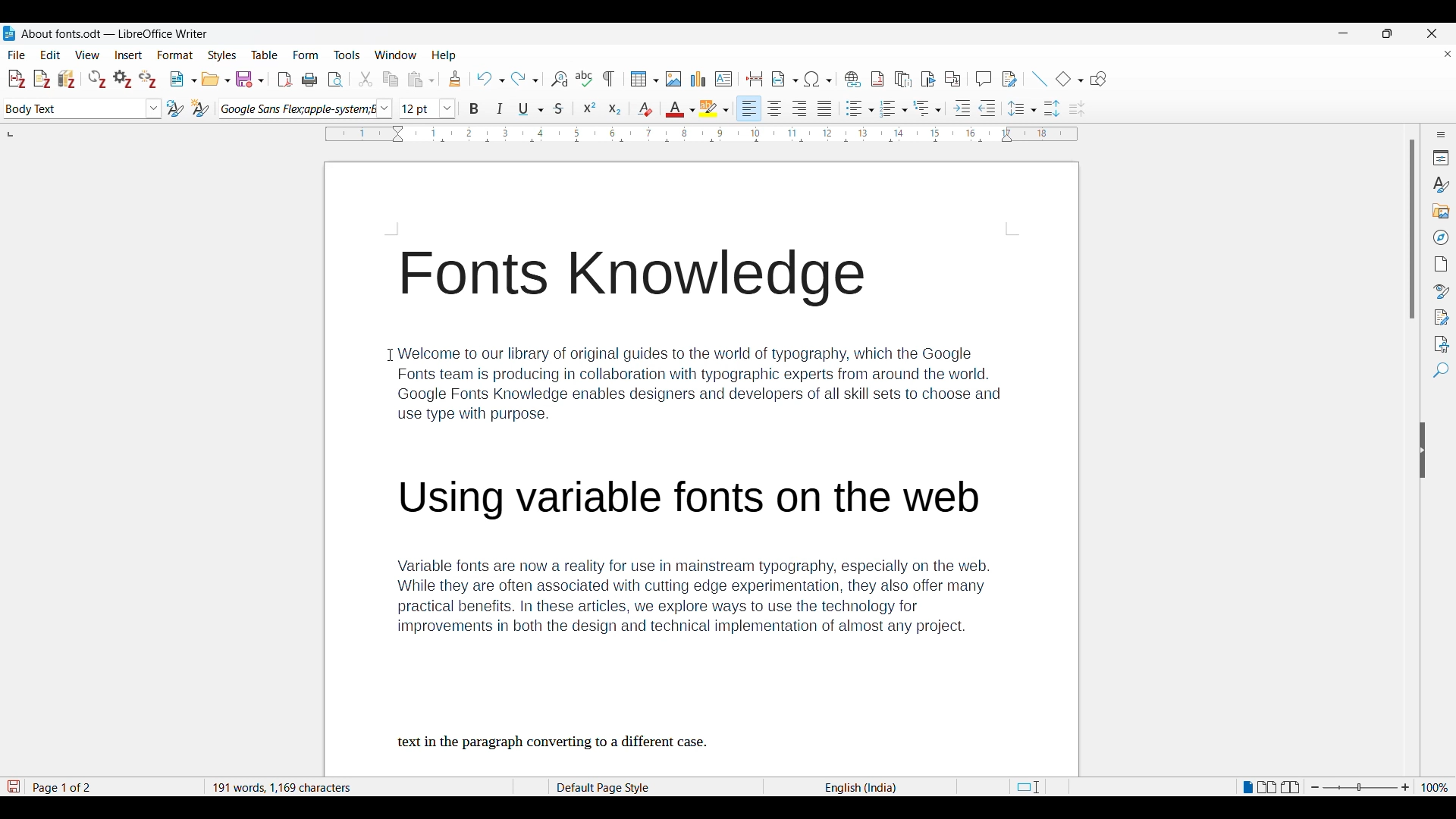 The height and width of the screenshot is (819, 1456). Describe the element at coordinates (184, 79) in the screenshot. I see `New options` at that location.